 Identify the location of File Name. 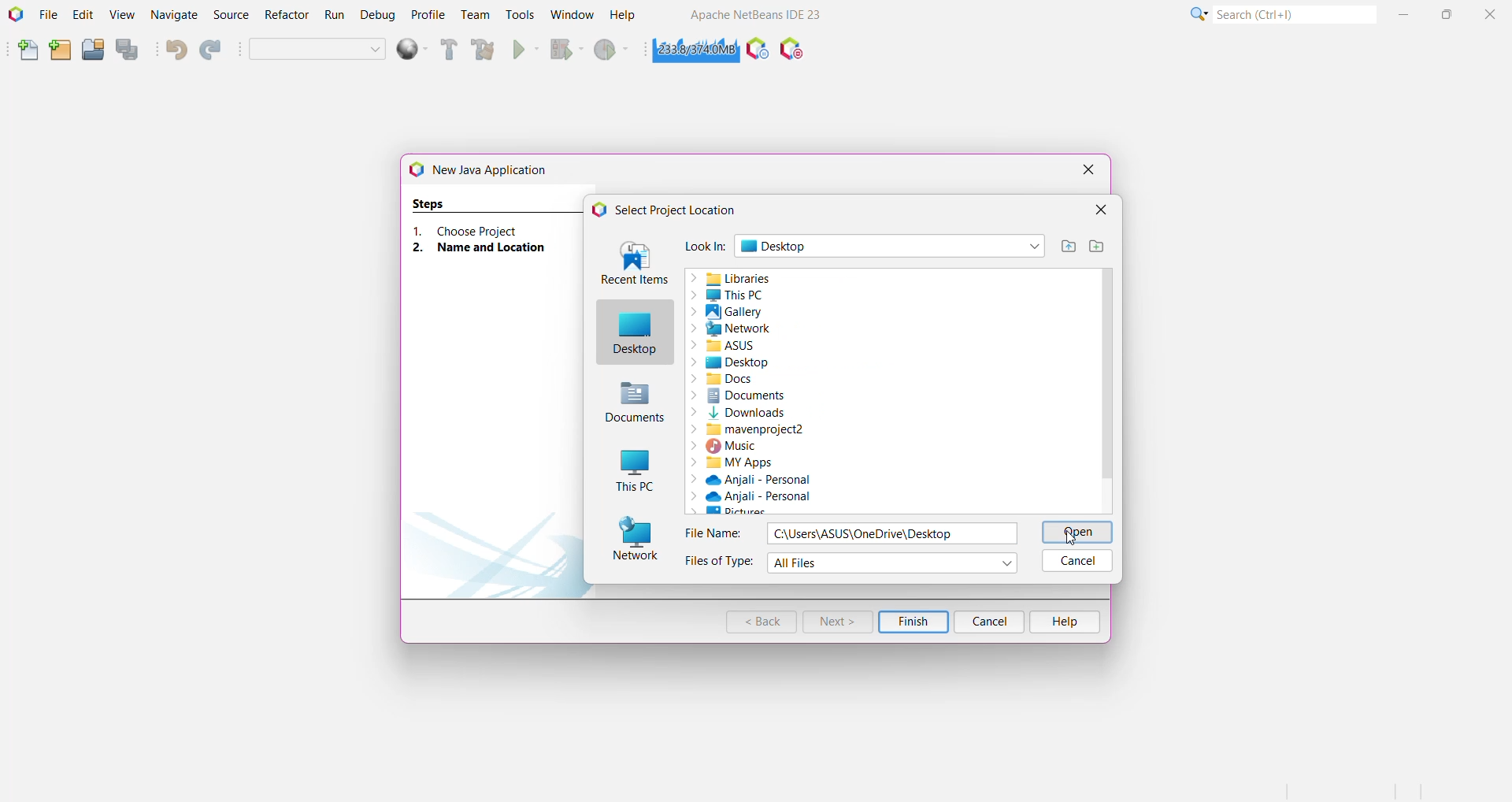
(714, 533).